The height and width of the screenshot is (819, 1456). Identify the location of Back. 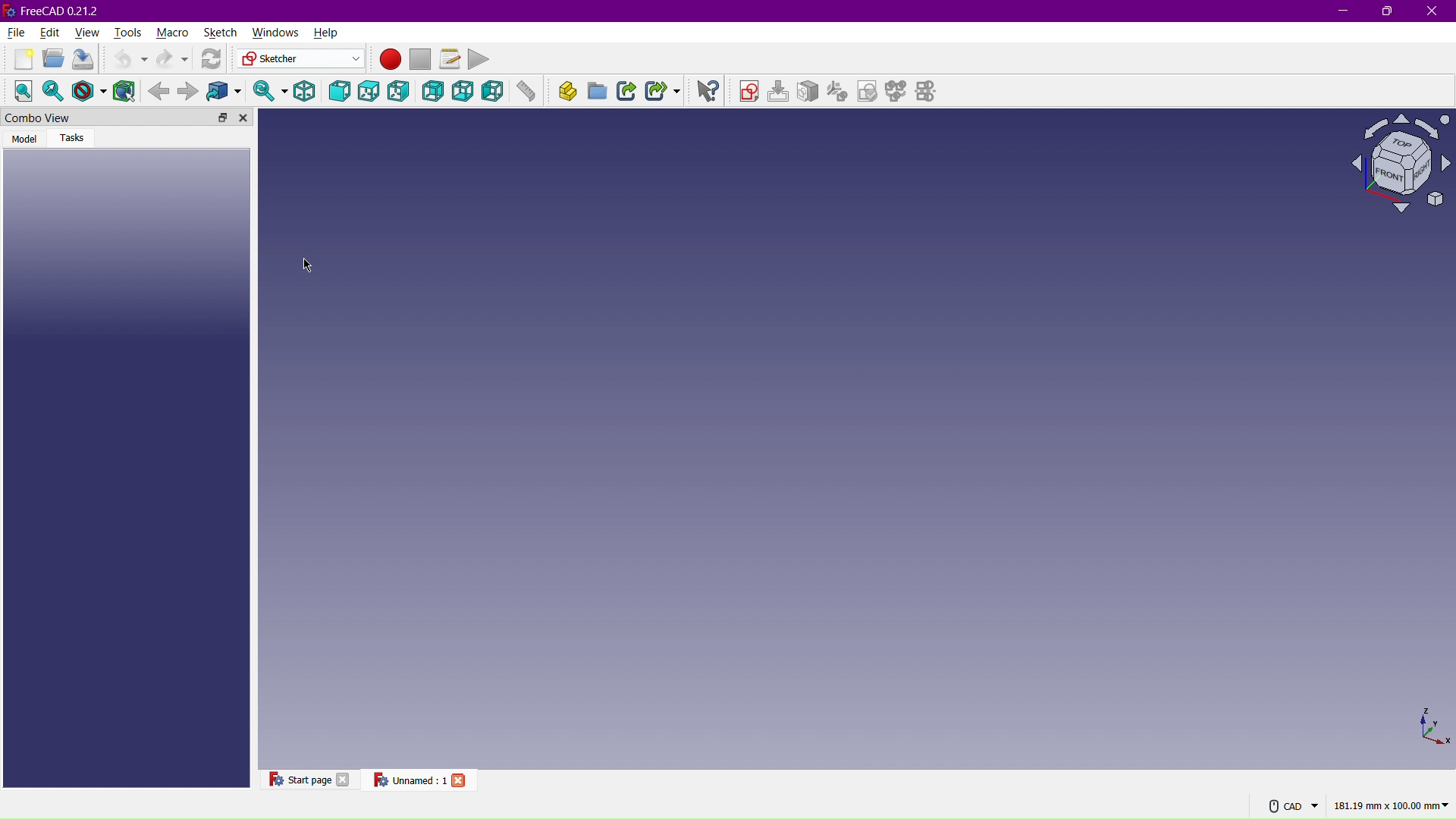
(431, 90).